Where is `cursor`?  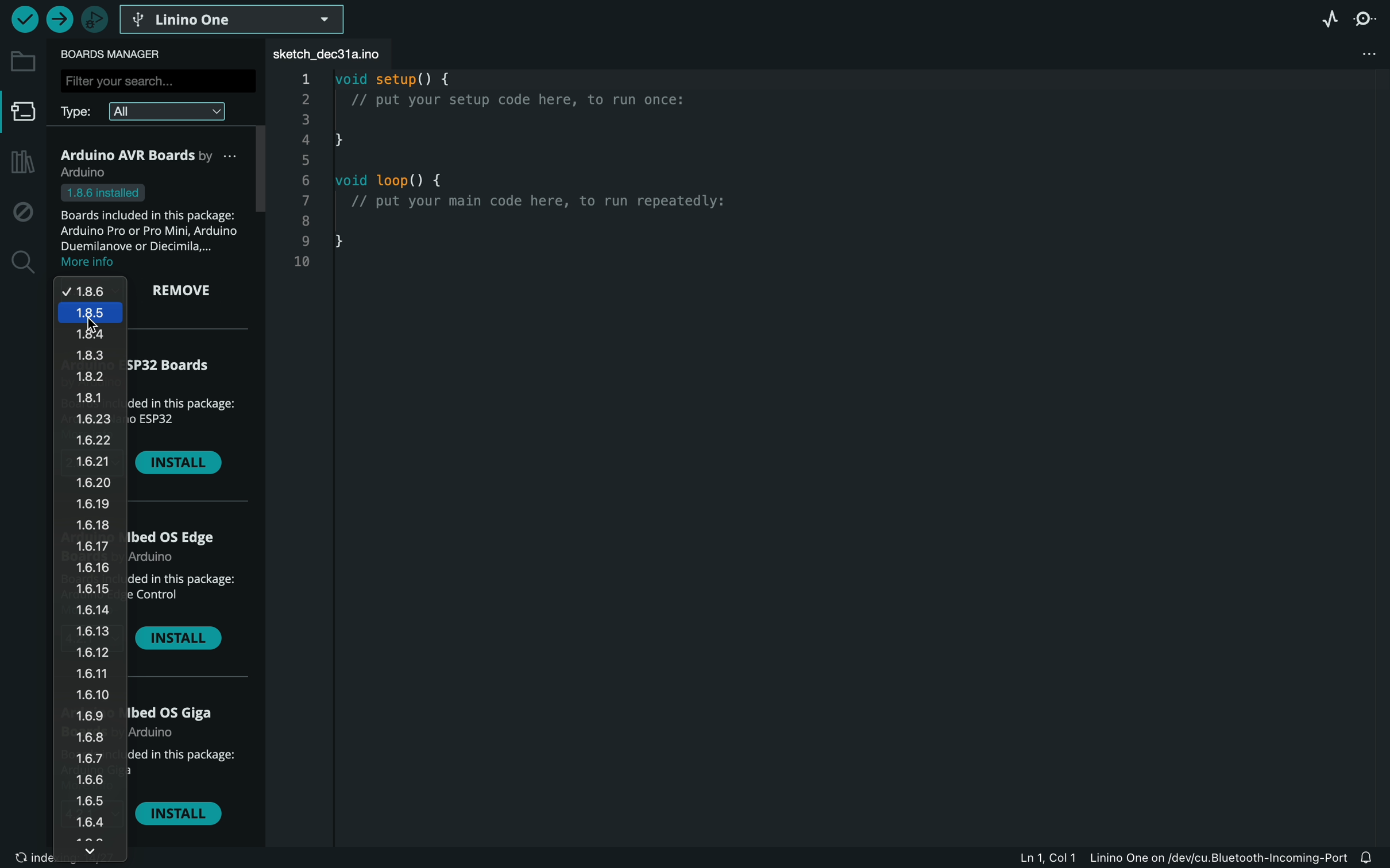
cursor is located at coordinates (92, 323).